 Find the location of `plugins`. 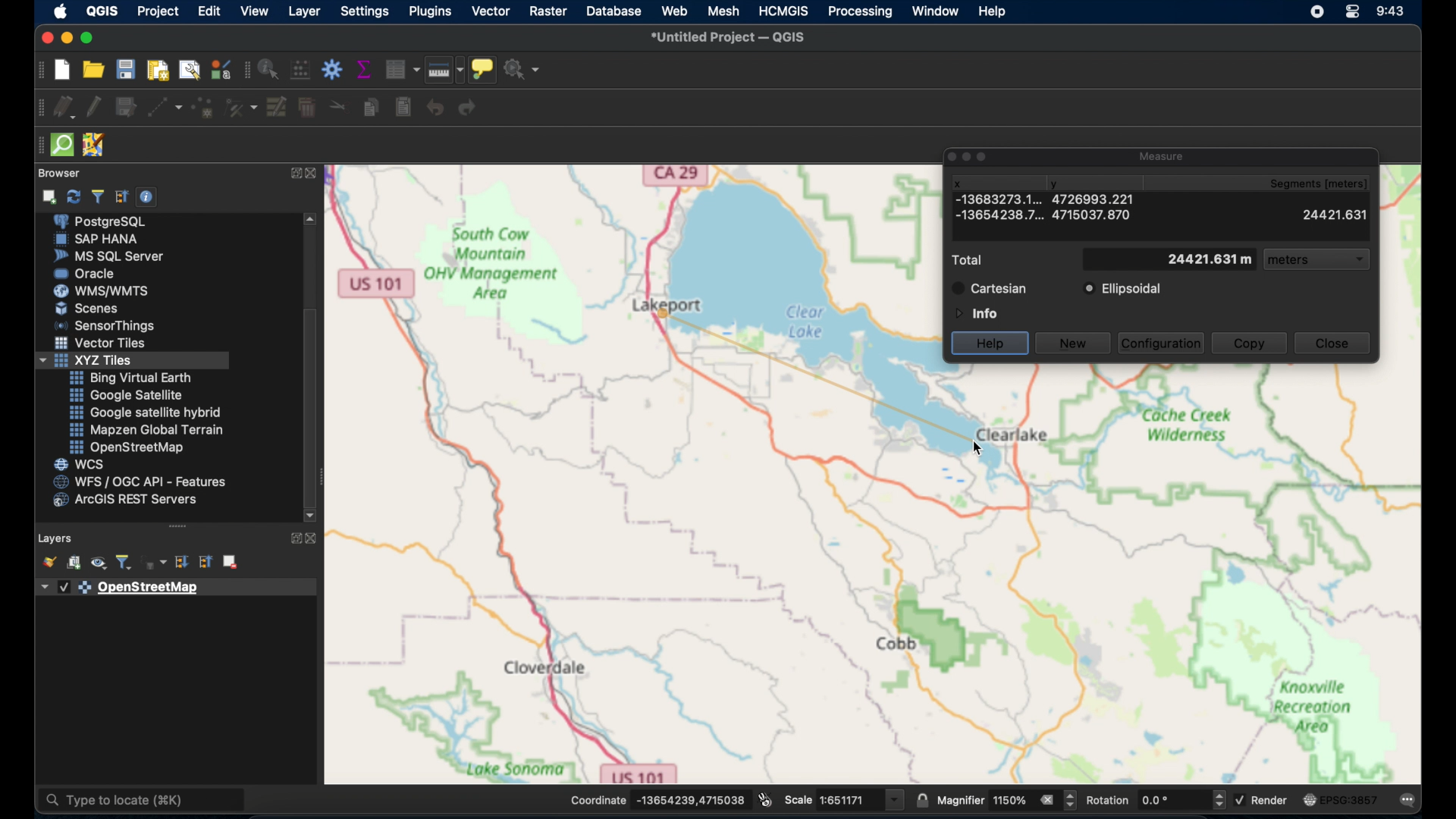

plugins is located at coordinates (431, 11).